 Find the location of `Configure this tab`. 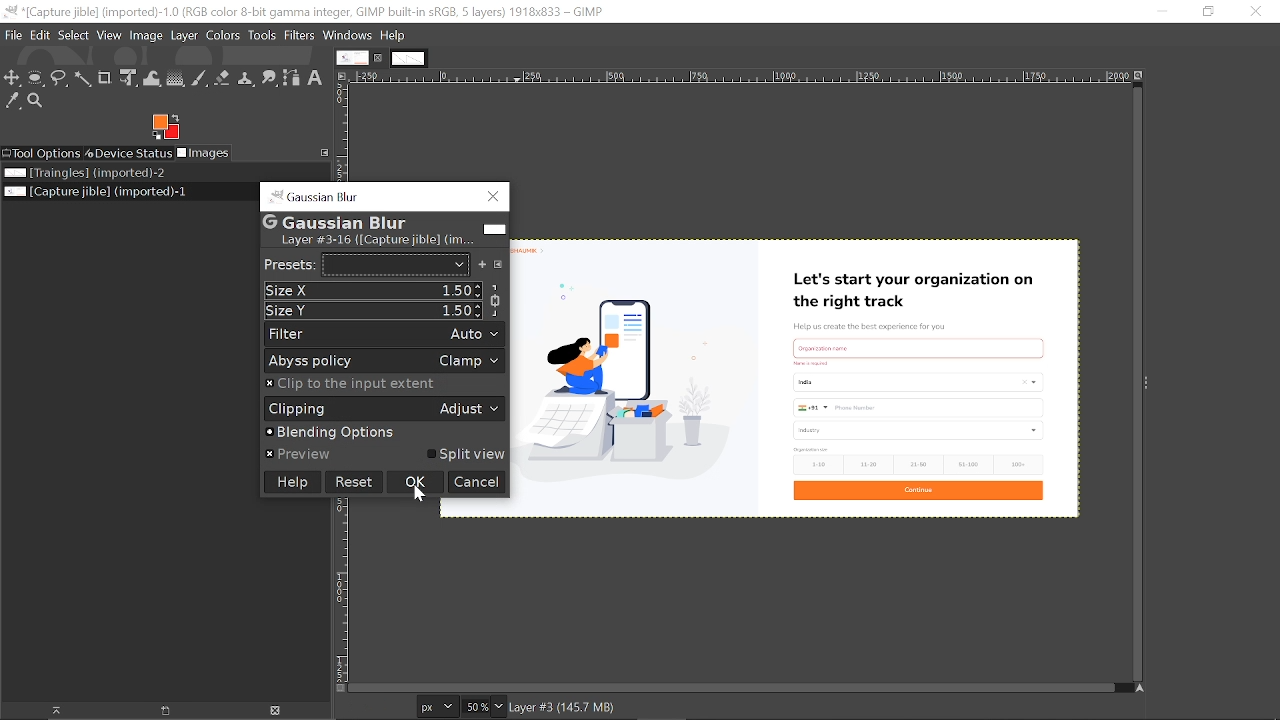

Configure this tab is located at coordinates (321, 152).